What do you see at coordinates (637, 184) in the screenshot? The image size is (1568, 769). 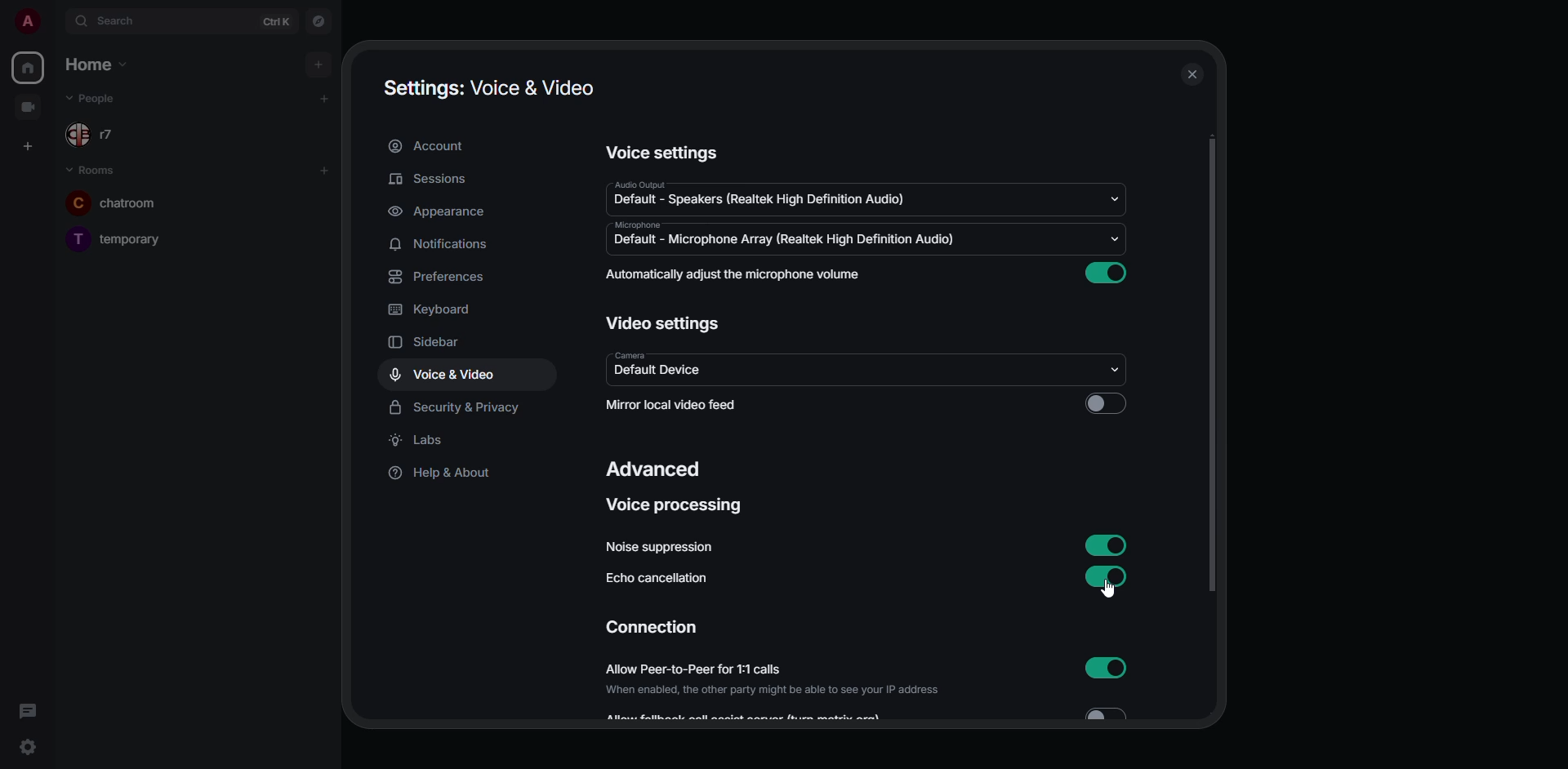 I see `audio output` at bounding box center [637, 184].